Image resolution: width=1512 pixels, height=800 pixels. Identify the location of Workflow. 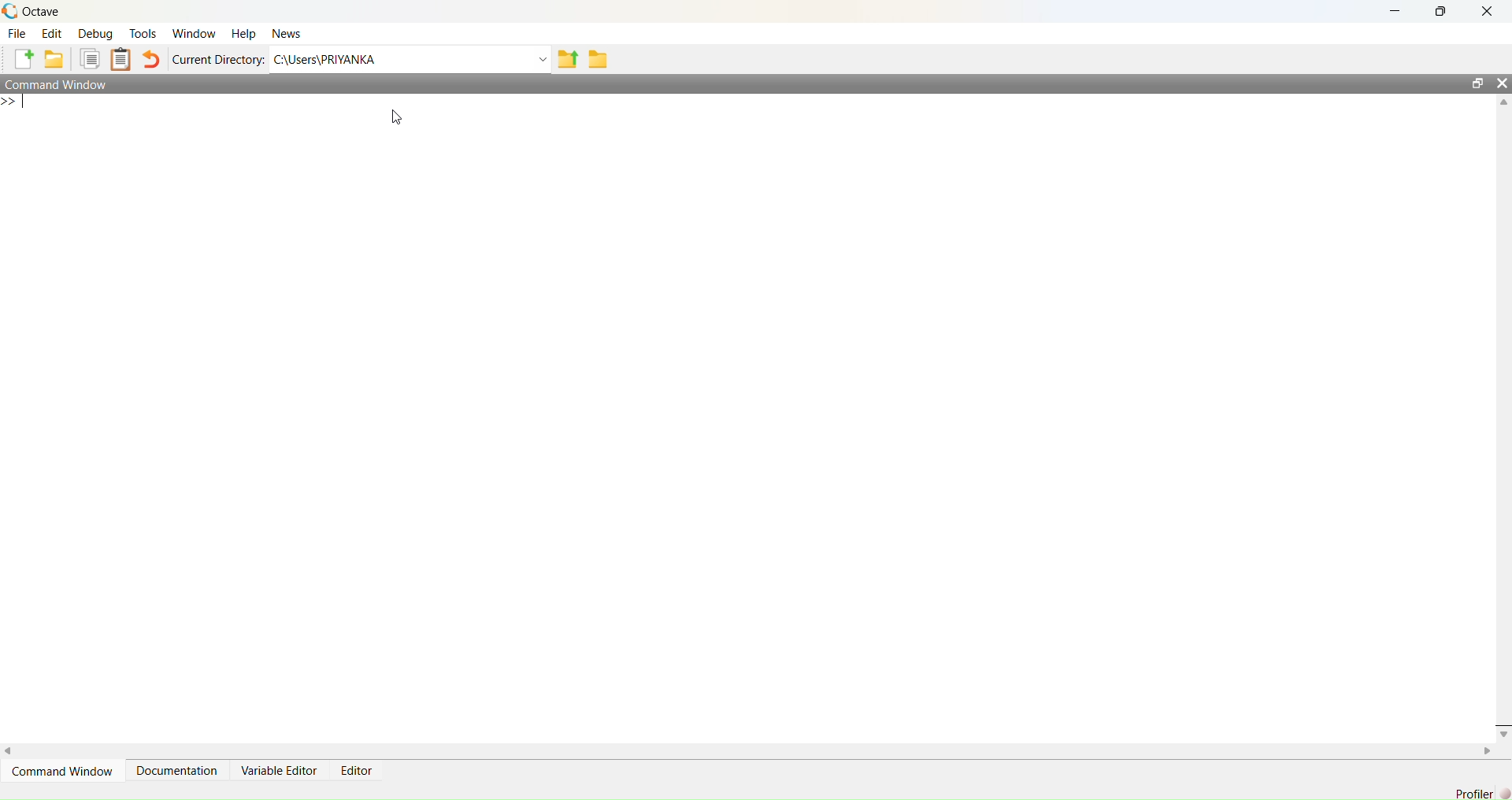
(195, 34).